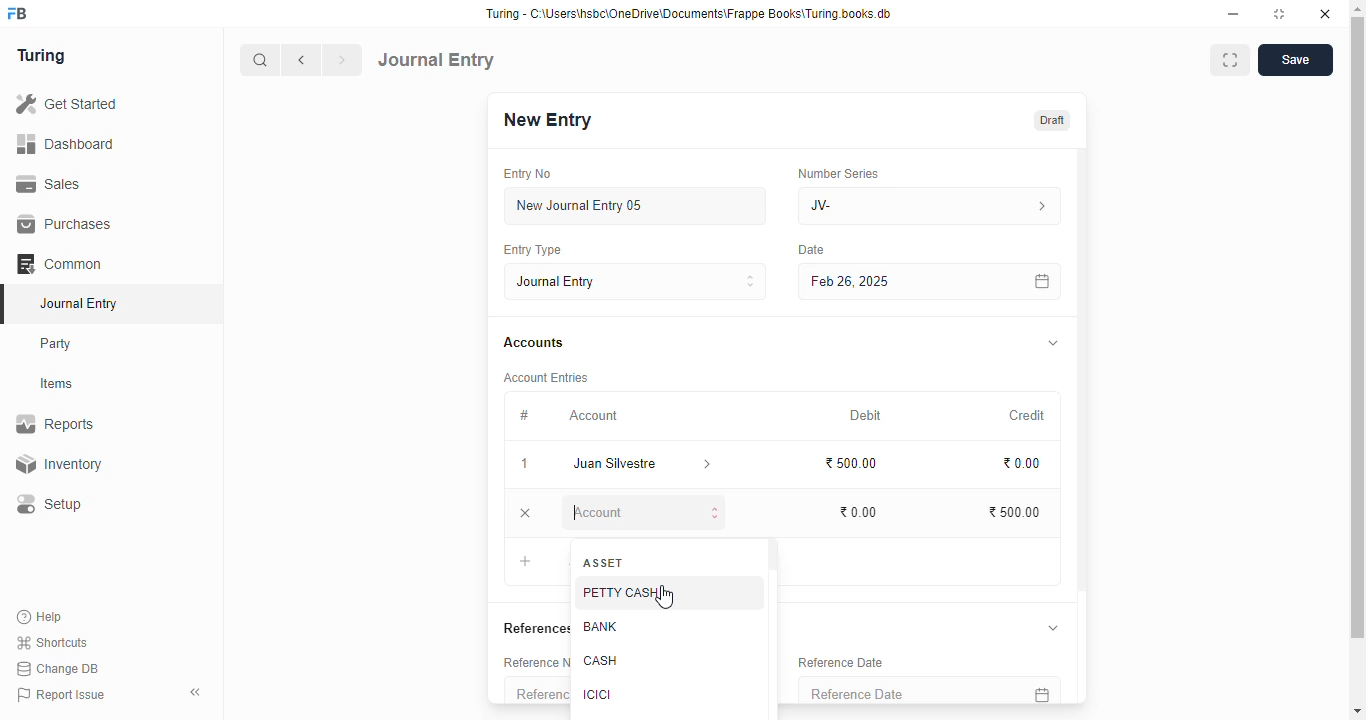  I want to click on purchases, so click(64, 224).